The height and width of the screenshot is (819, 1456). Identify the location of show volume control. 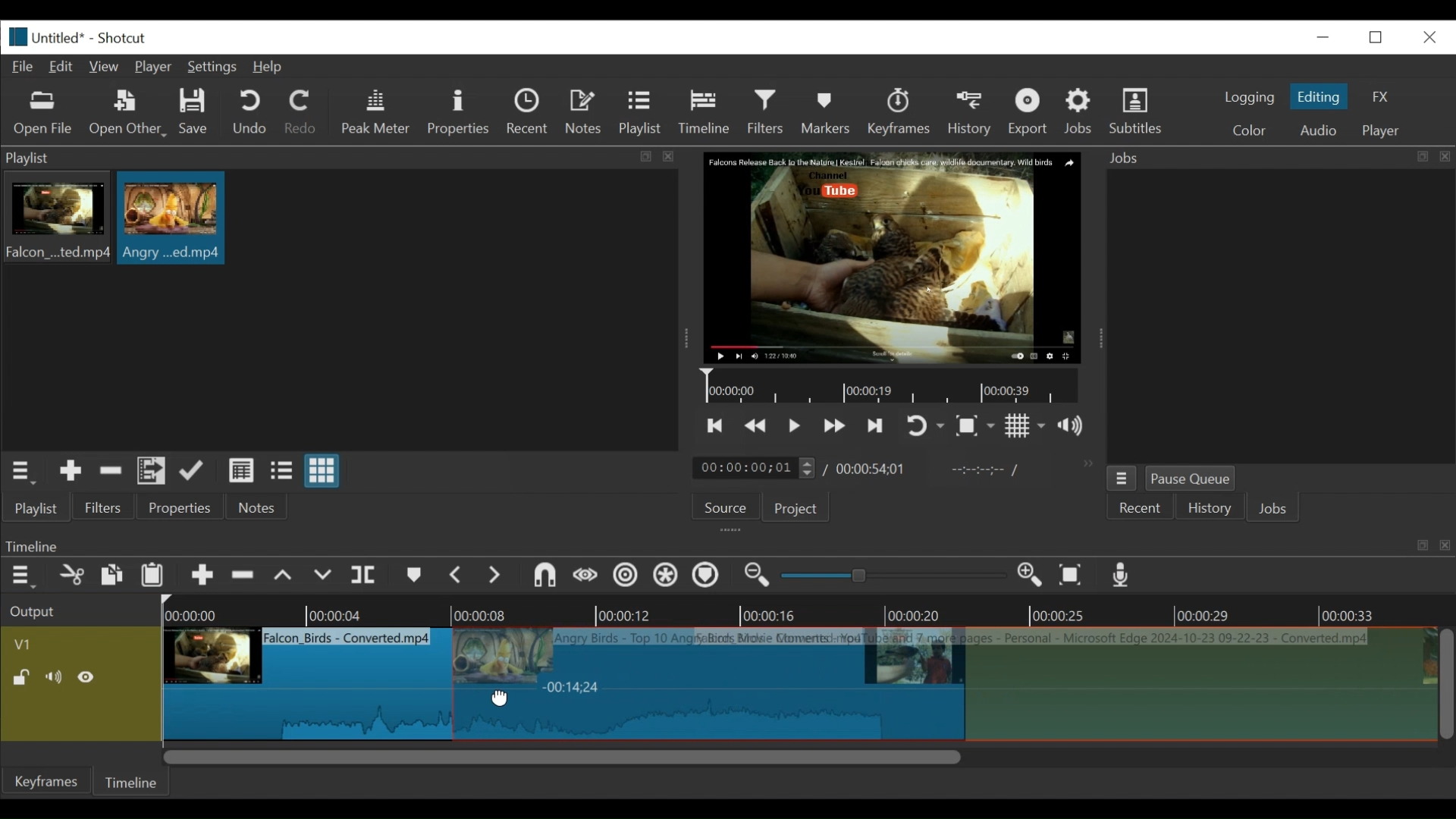
(1077, 427).